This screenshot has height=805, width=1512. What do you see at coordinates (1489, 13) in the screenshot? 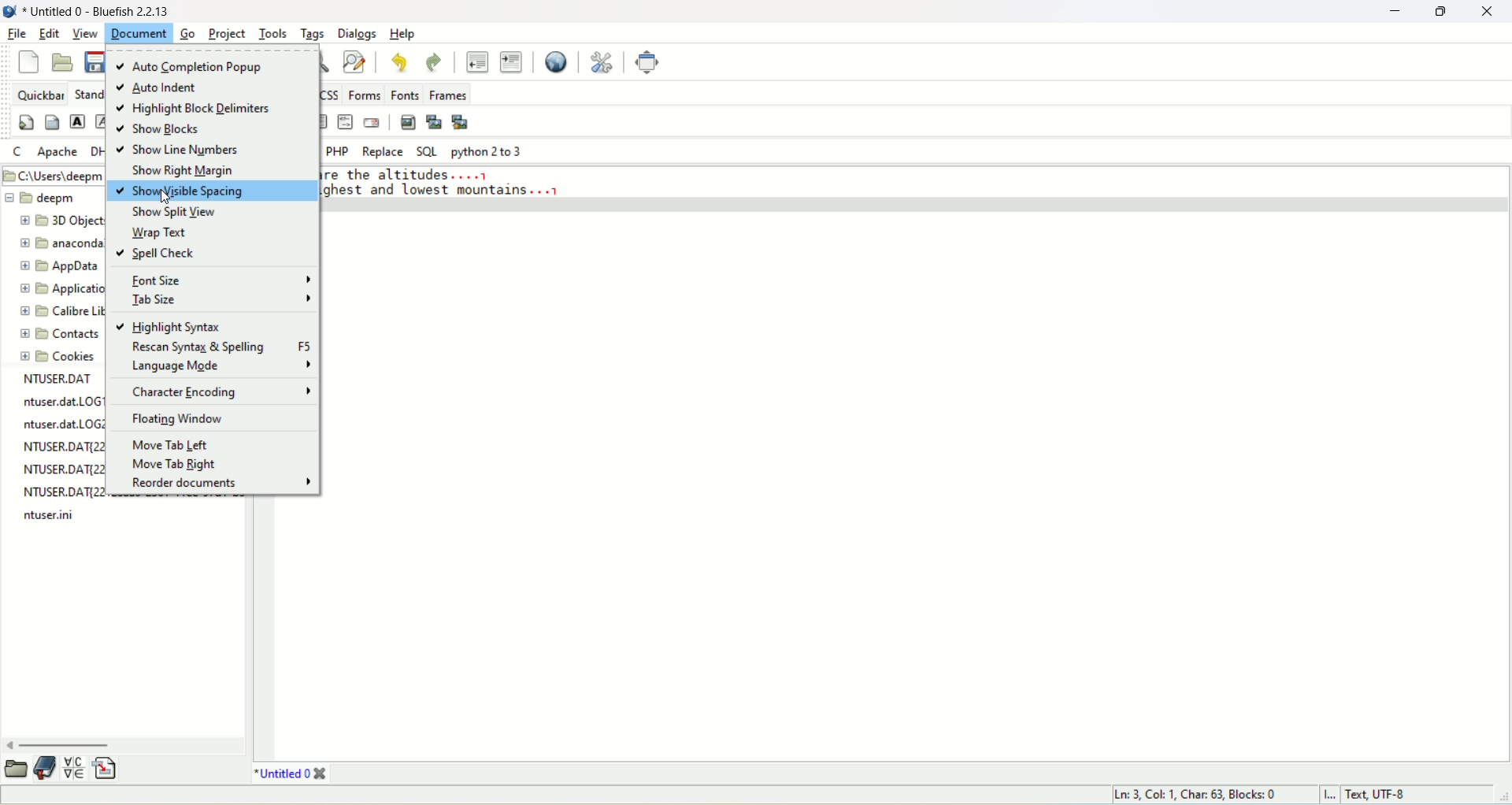
I see `close` at bounding box center [1489, 13].